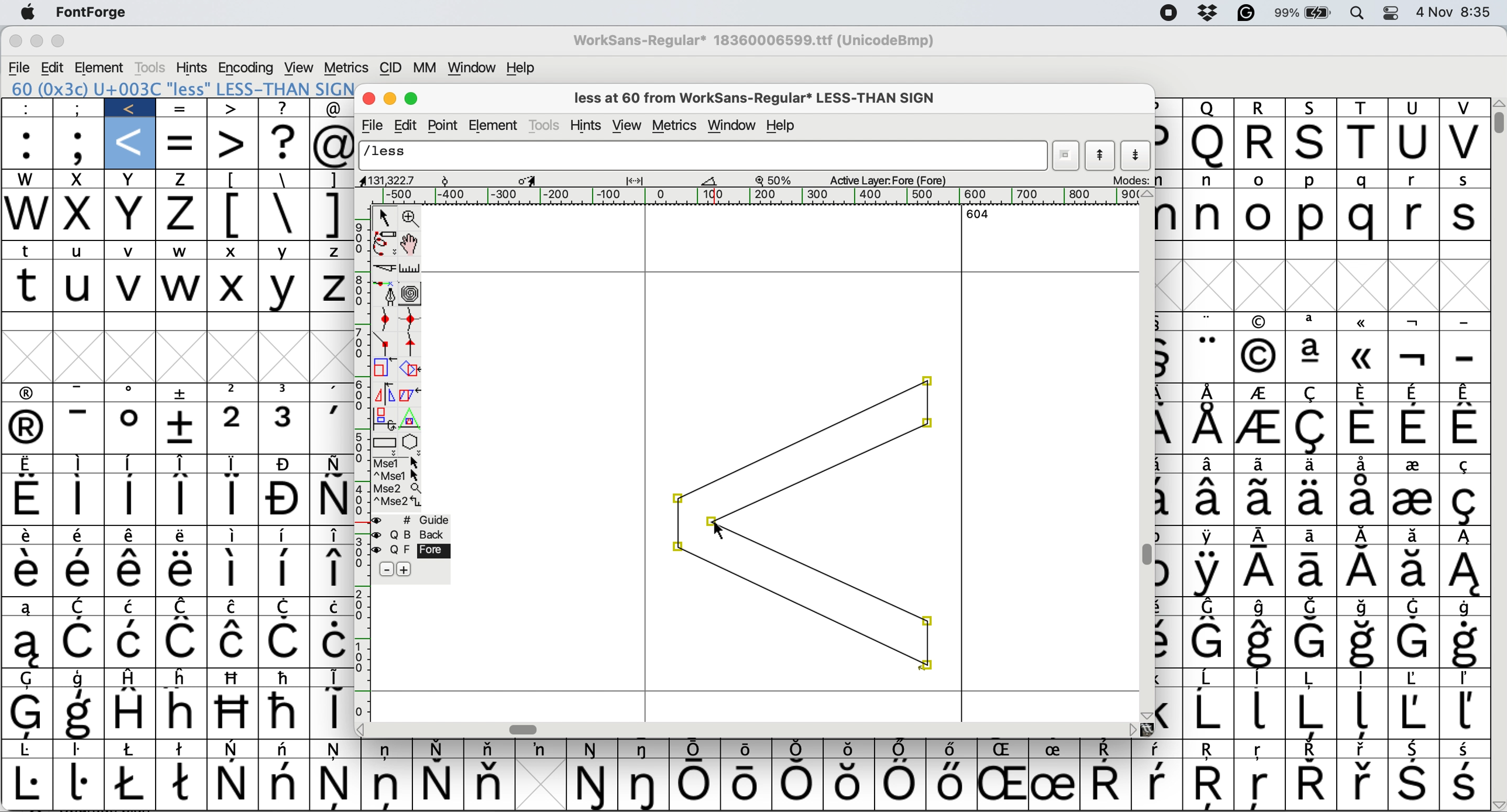 Image resolution: width=1507 pixels, height=812 pixels. Describe the element at coordinates (1305, 751) in the screenshot. I see `Symbol` at that location.